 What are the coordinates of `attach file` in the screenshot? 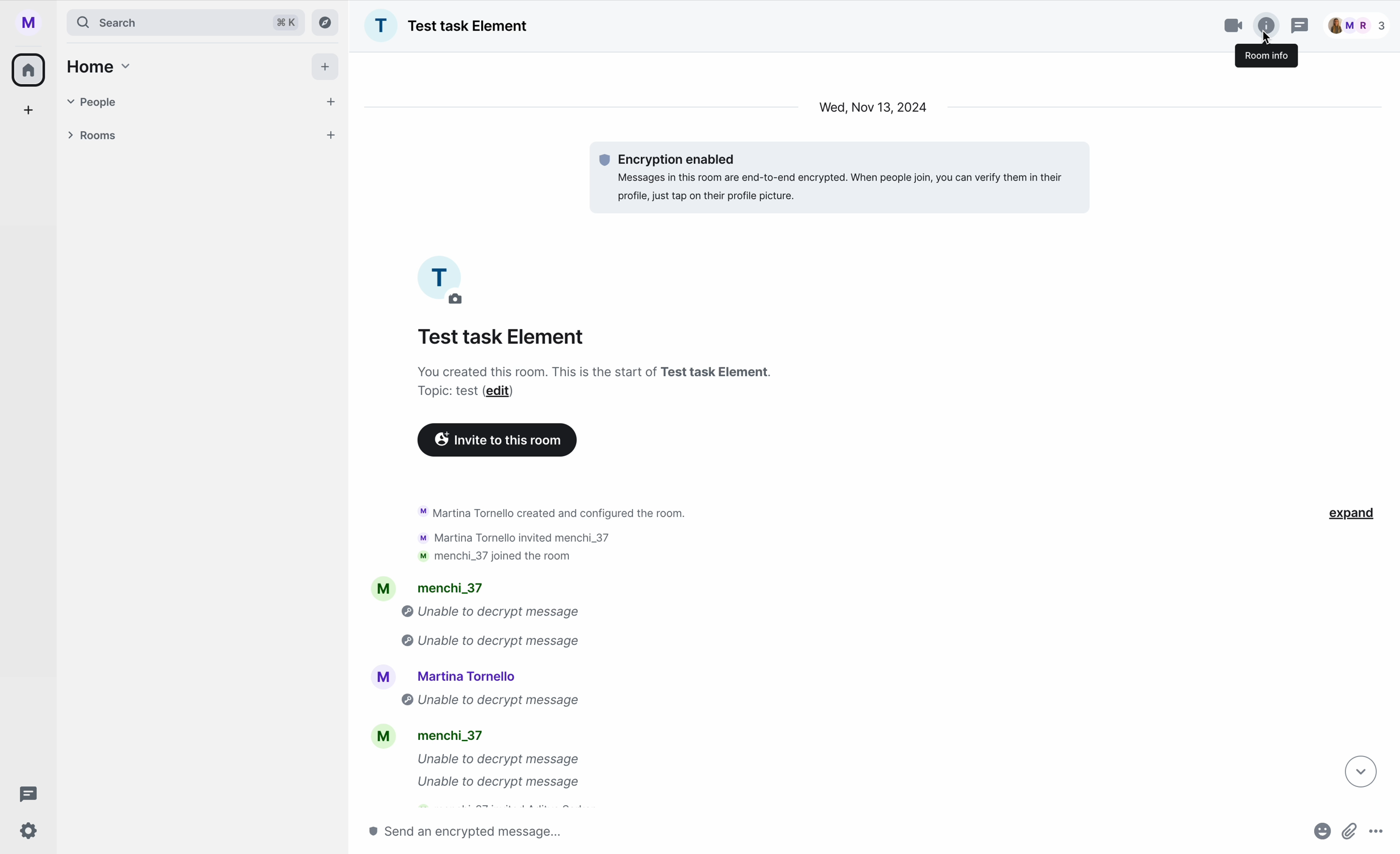 It's located at (1350, 834).